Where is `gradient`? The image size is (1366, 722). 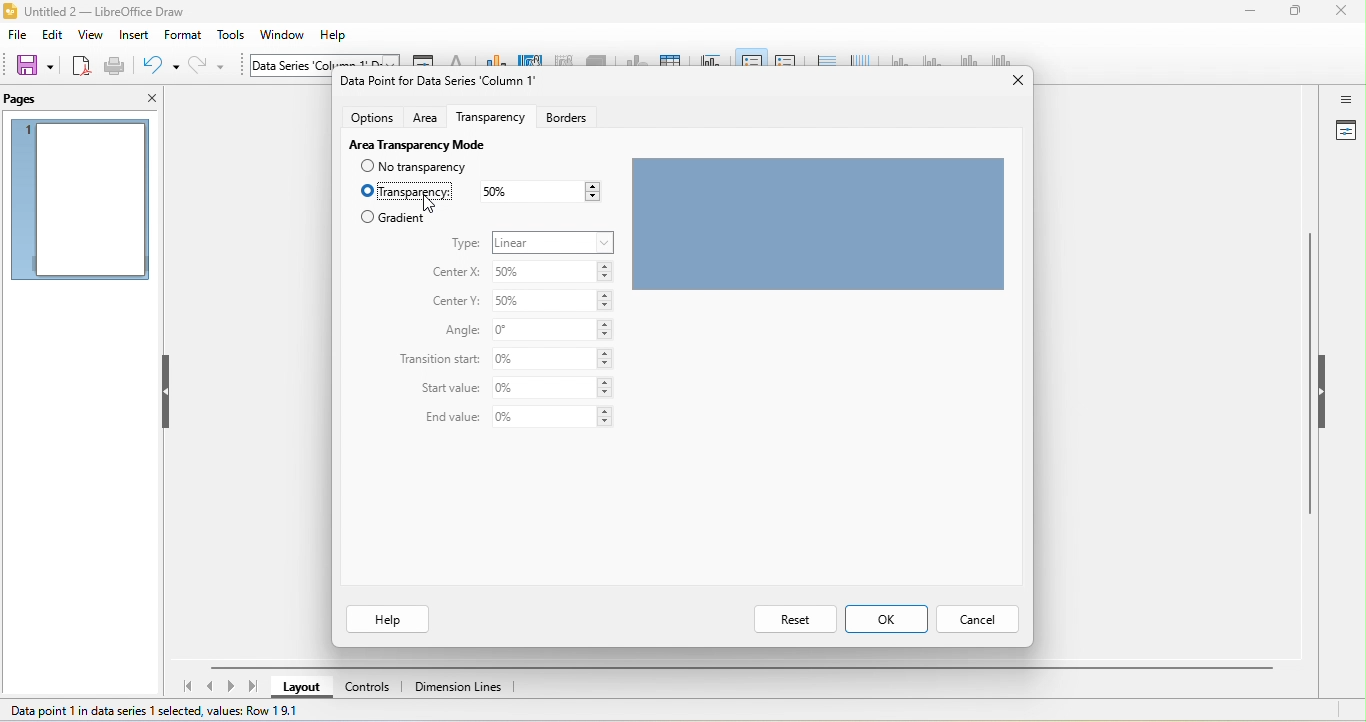 gradient is located at coordinates (404, 220).